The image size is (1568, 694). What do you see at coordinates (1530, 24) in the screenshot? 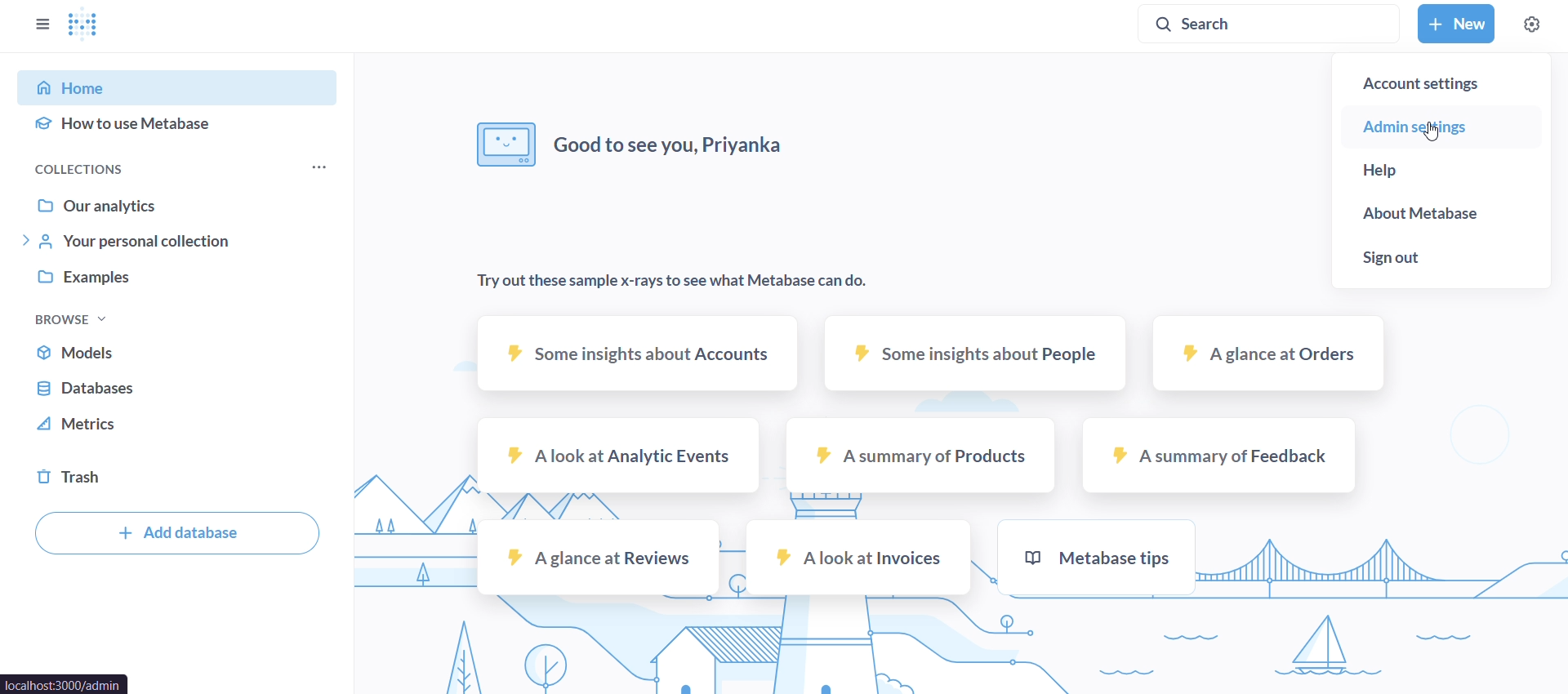
I see `settings` at bounding box center [1530, 24].